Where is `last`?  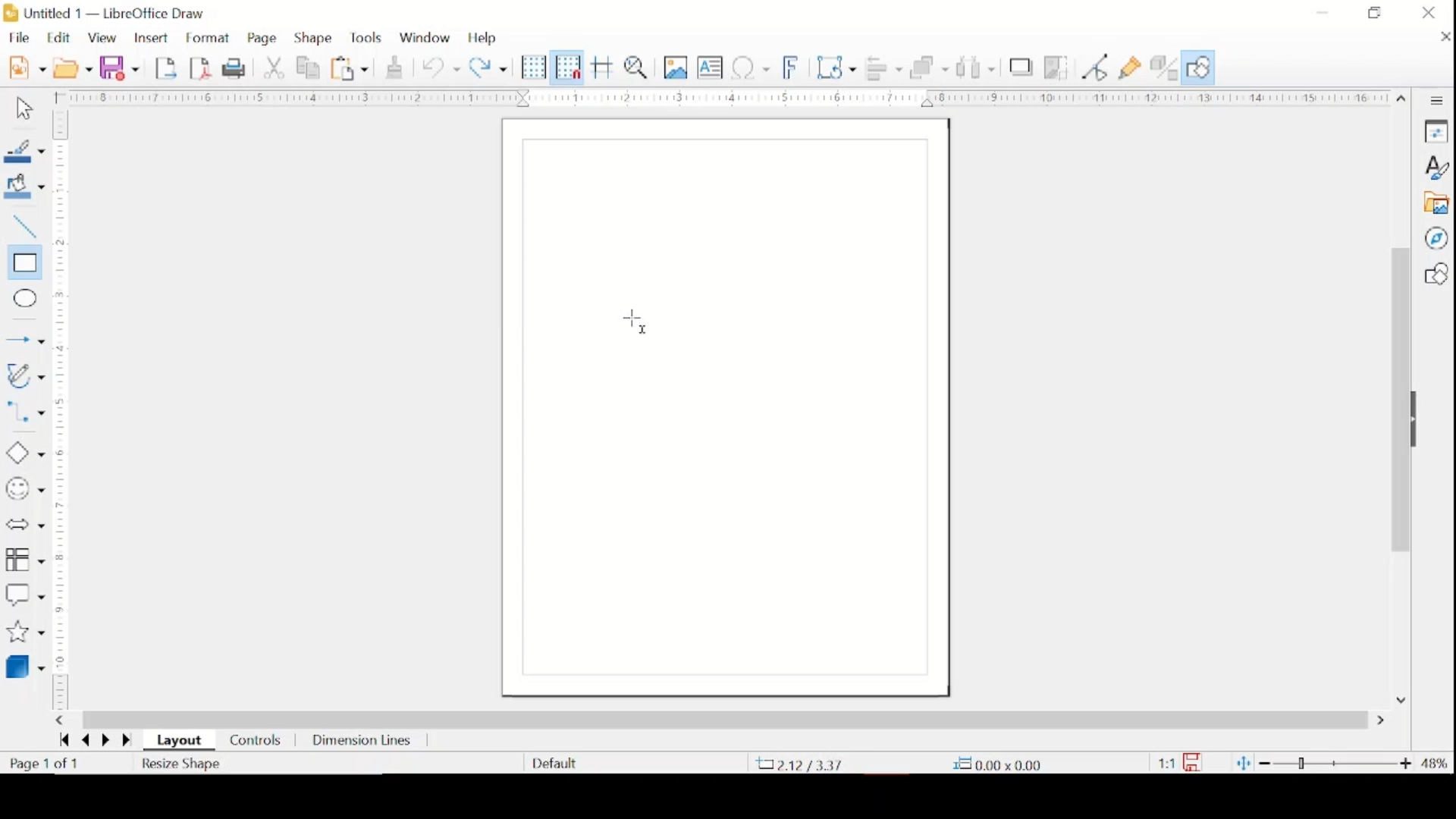 last is located at coordinates (64, 739).